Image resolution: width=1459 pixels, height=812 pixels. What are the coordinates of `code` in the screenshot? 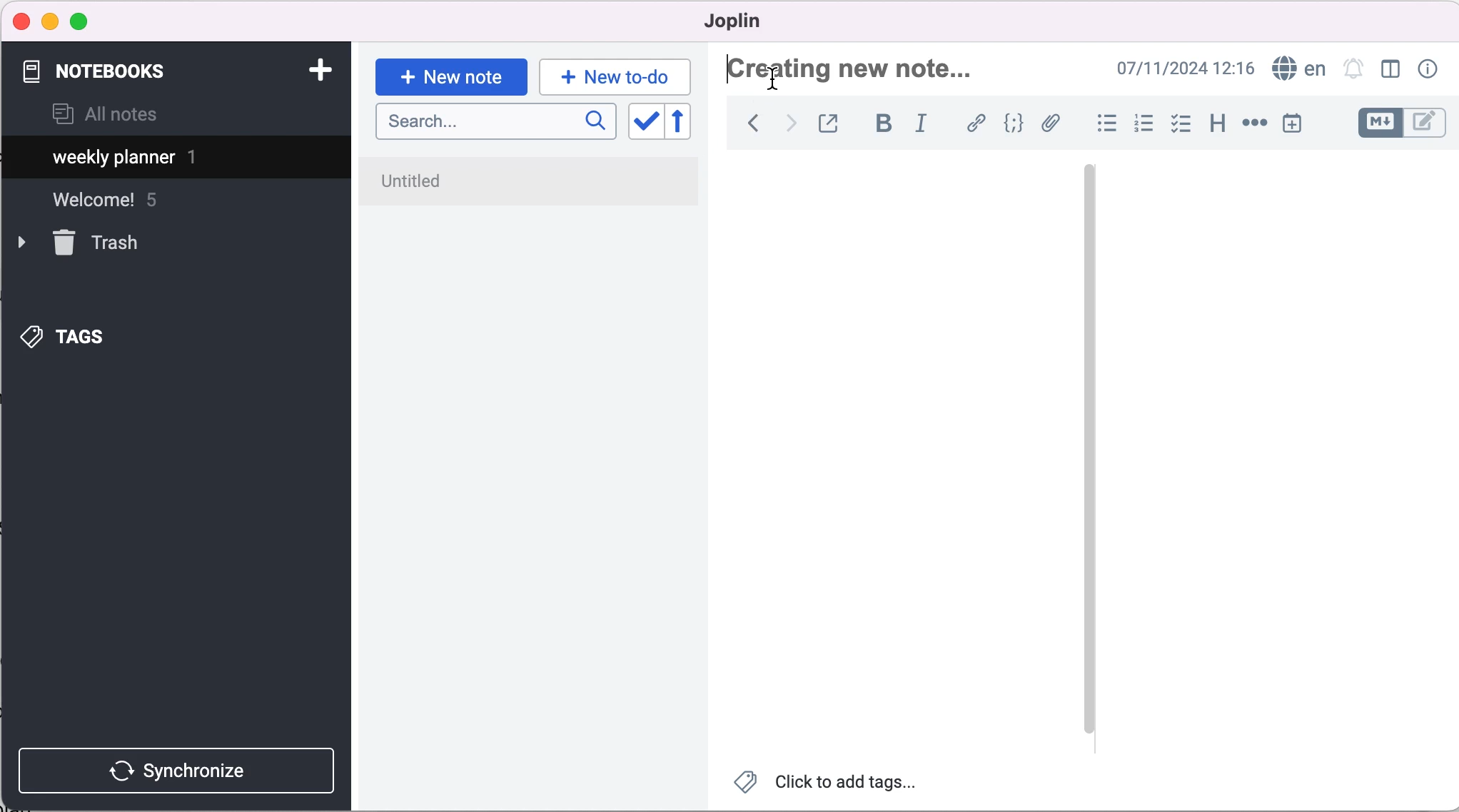 It's located at (1014, 125).